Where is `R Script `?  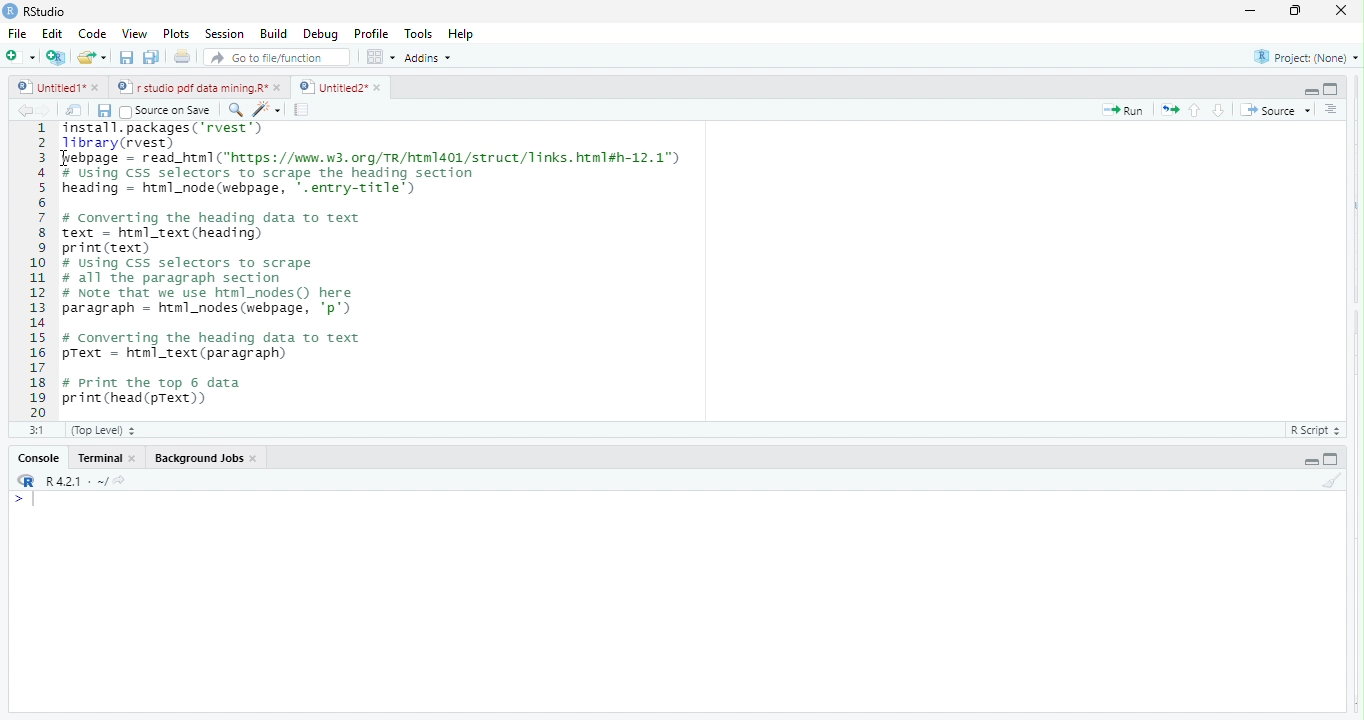 R Script  is located at coordinates (1312, 431).